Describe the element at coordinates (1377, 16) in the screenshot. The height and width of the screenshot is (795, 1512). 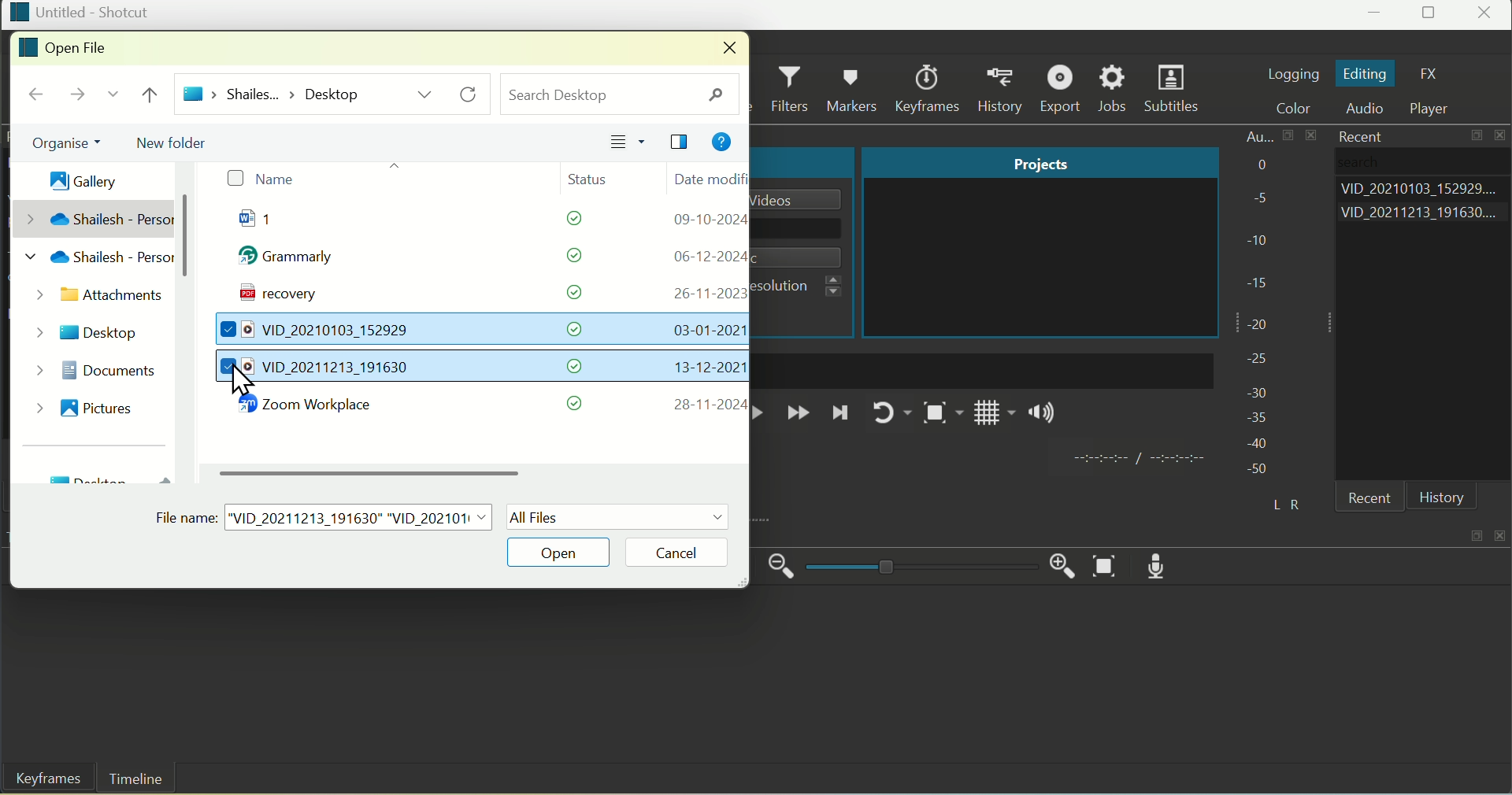
I see `Minimize` at that location.